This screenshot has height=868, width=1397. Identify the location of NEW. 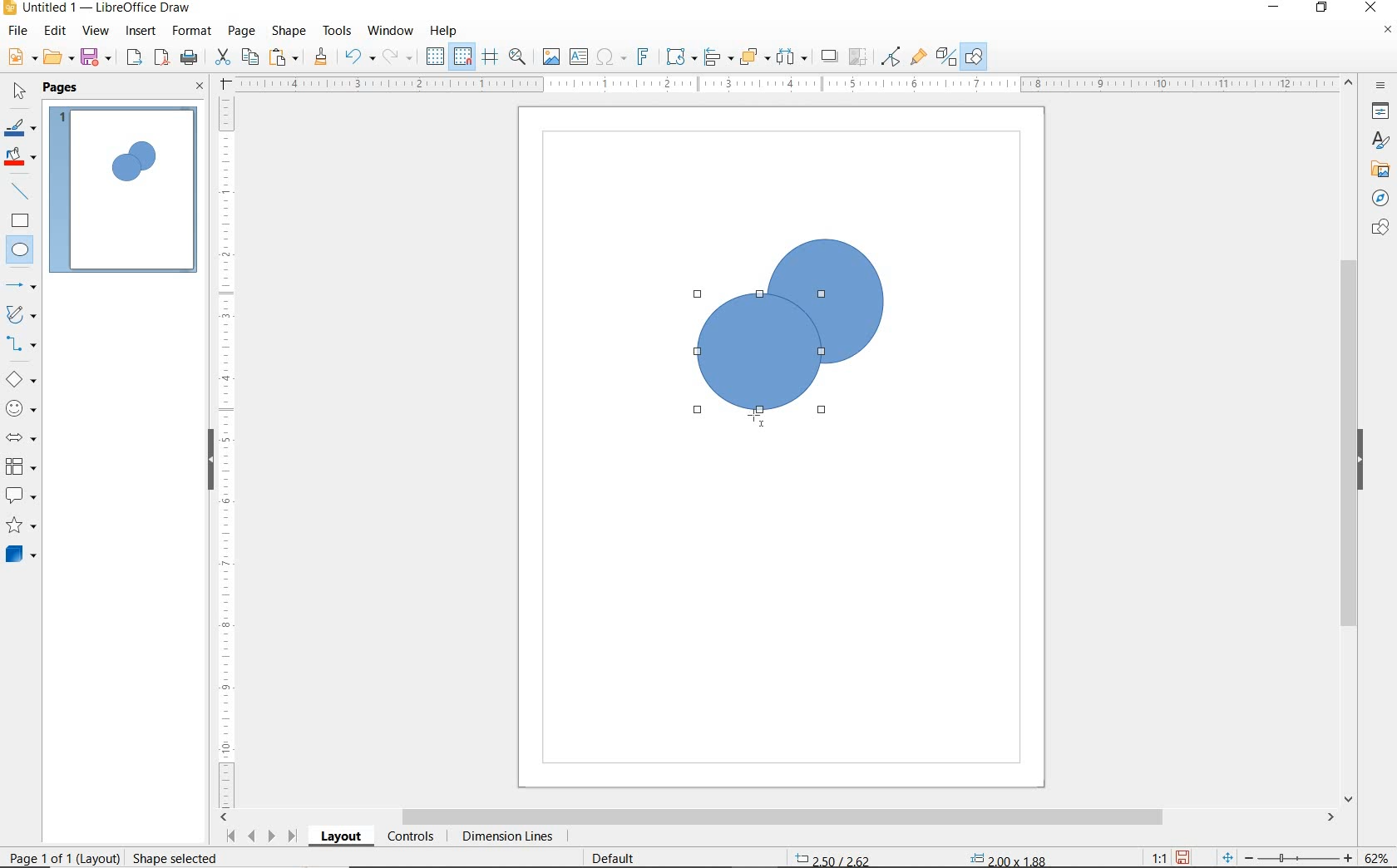
(20, 57).